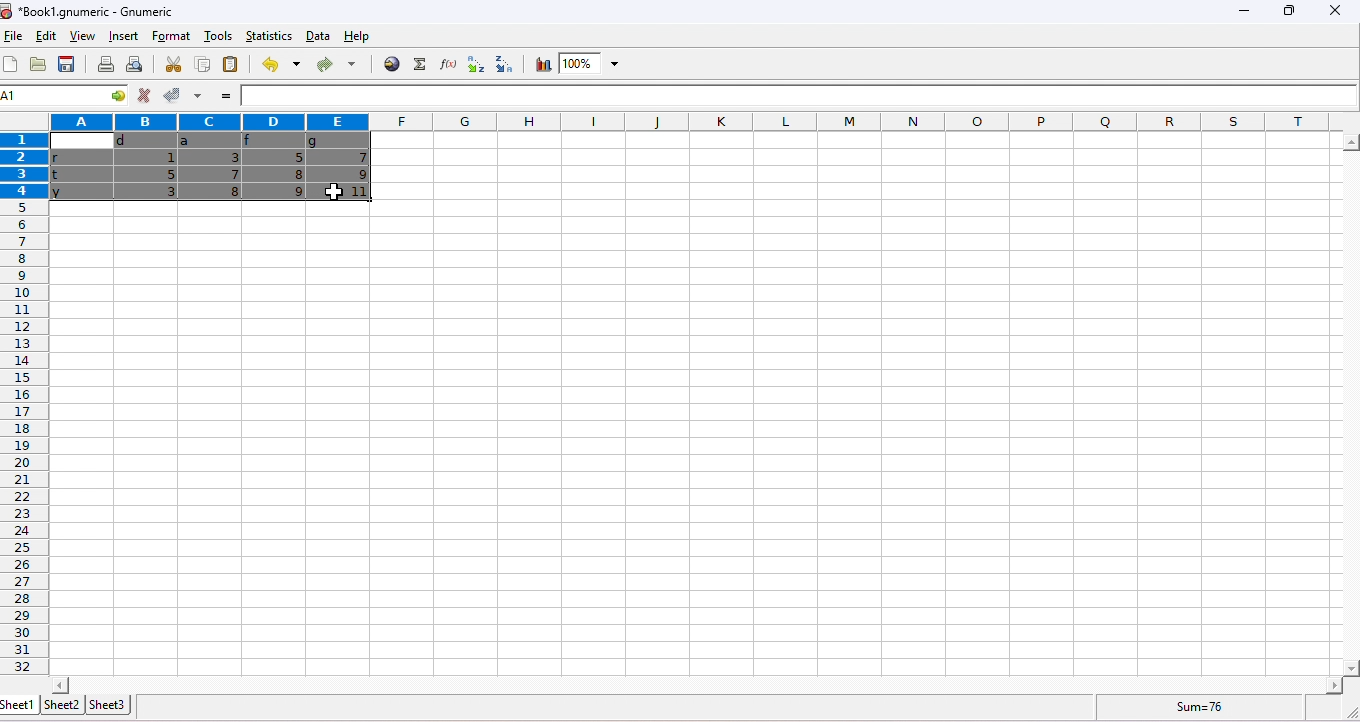 The height and width of the screenshot is (722, 1360). What do you see at coordinates (1350, 406) in the screenshot?
I see `horizontal scrollbar` at bounding box center [1350, 406].